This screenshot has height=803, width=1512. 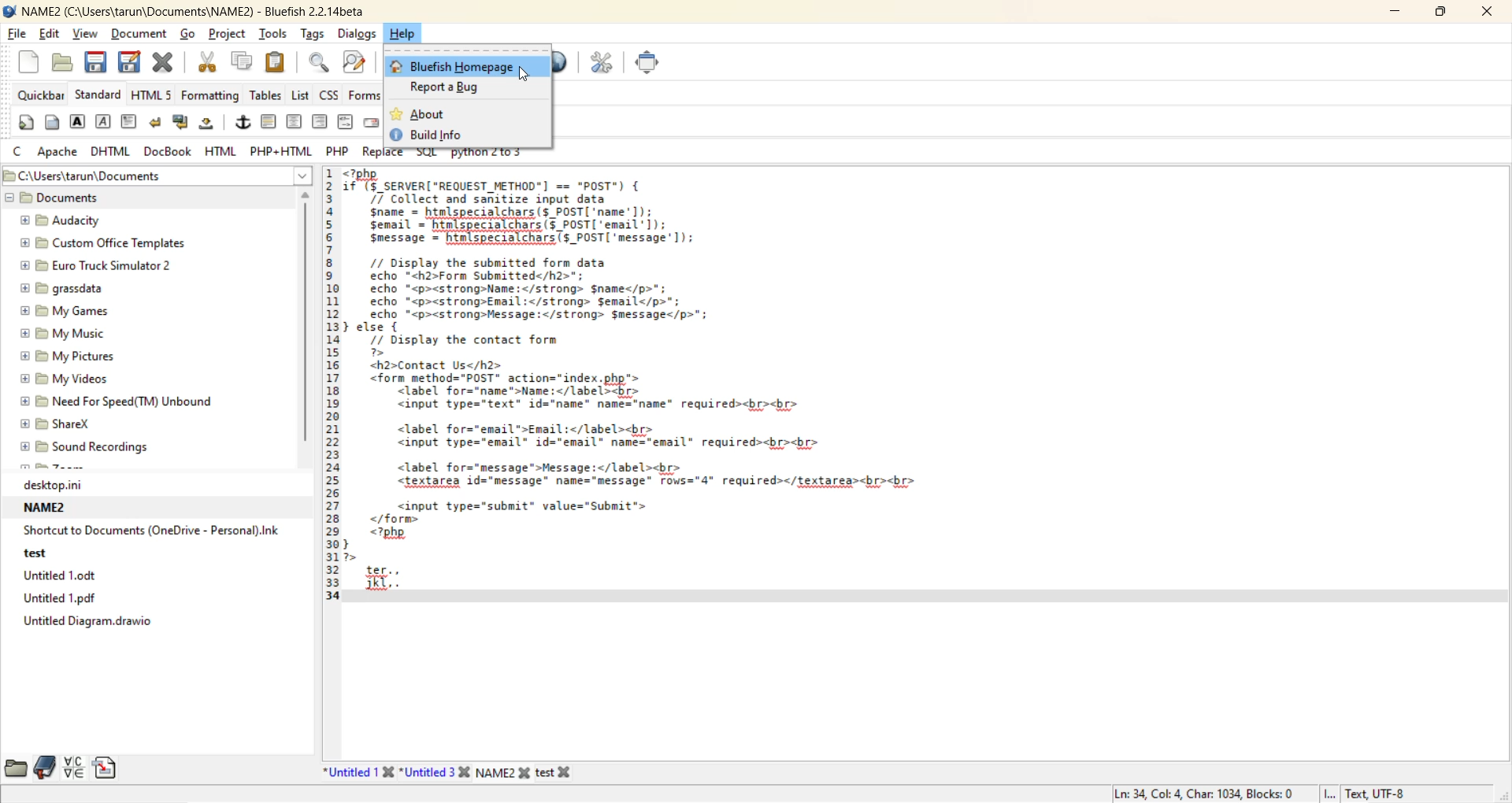 What do you see at coordinates (338, 150) in the screenshot?
I see `php` at bounding box center [338, 150].